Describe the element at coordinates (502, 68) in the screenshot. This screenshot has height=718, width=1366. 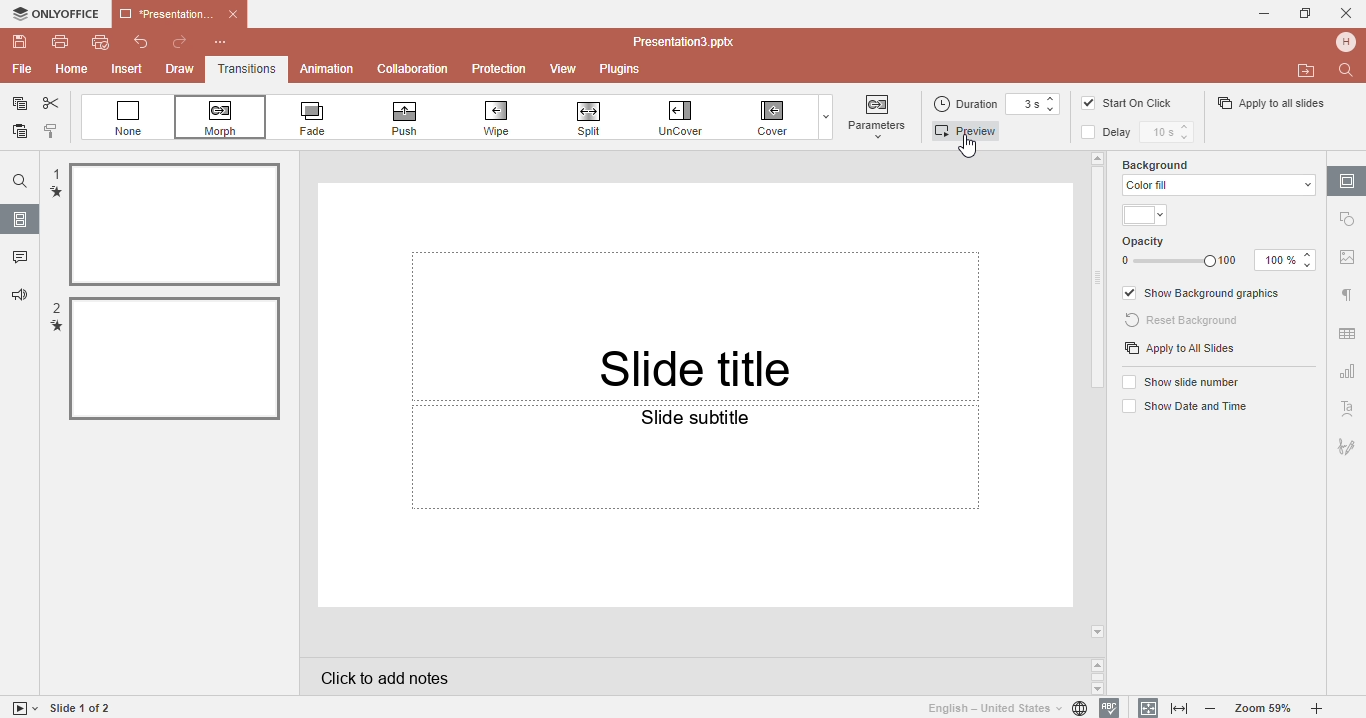
I see `Protection` at that location.